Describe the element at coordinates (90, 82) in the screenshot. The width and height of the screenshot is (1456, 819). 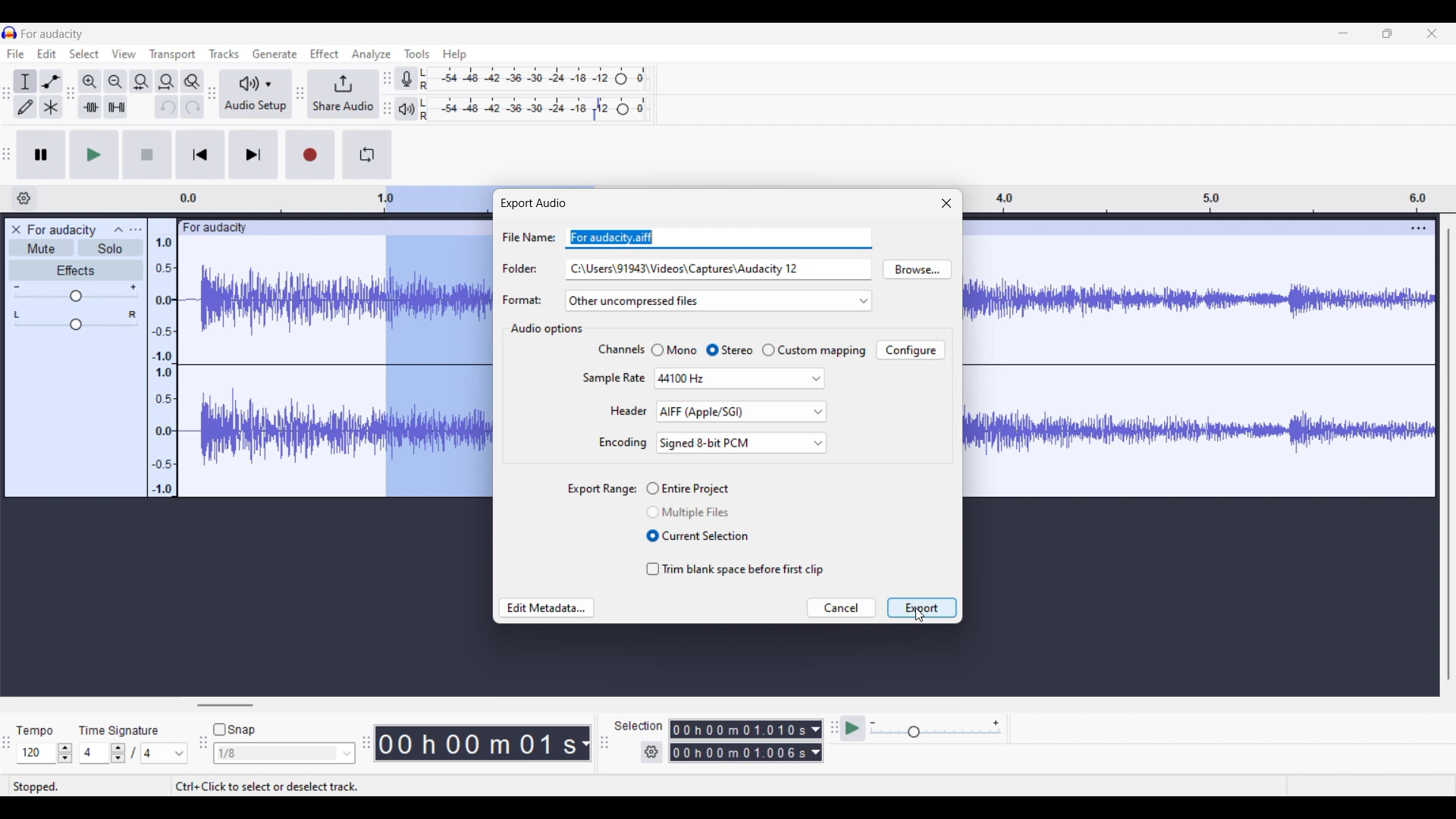
I see `Zoom in` at that location.